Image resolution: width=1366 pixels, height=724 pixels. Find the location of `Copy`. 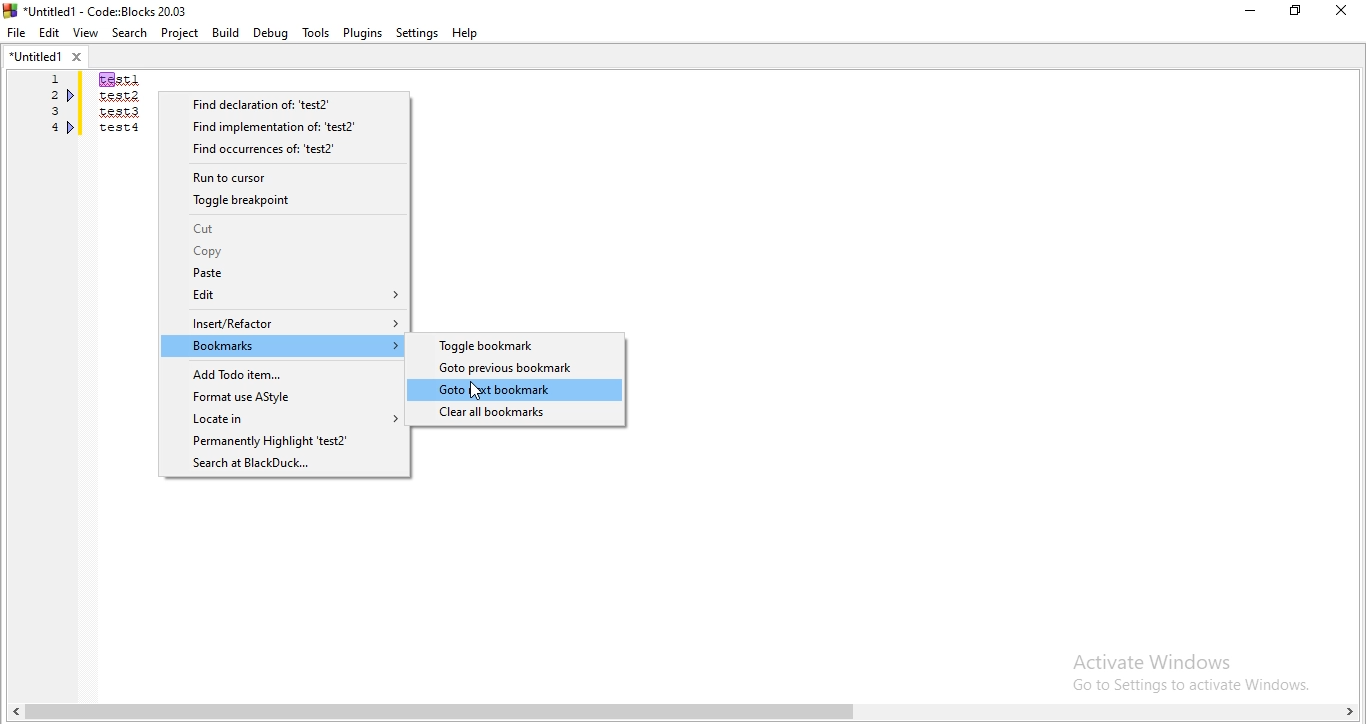

Copy is located at coordinates (284, 252).